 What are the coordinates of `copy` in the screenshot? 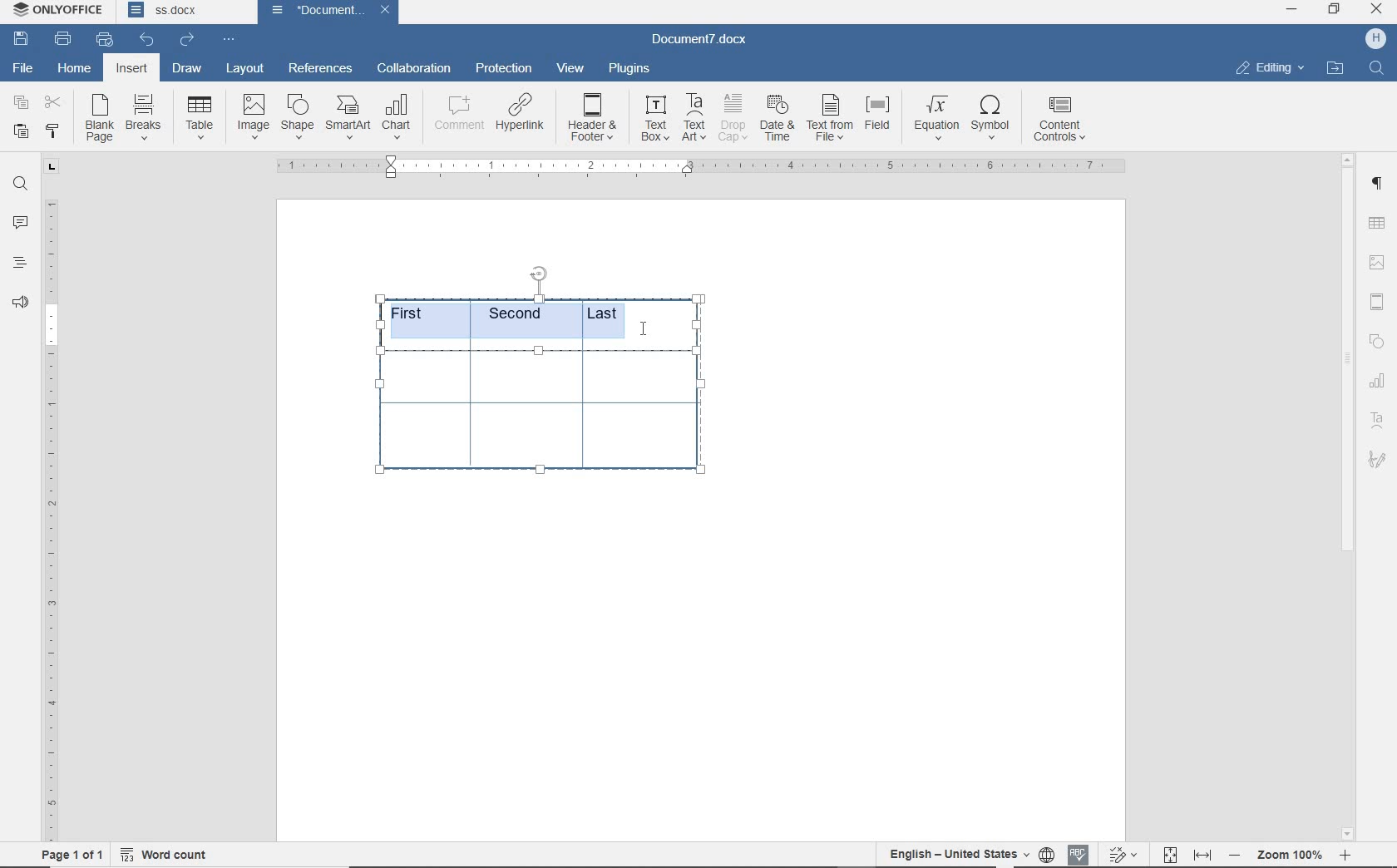 It's located at (20, 104).